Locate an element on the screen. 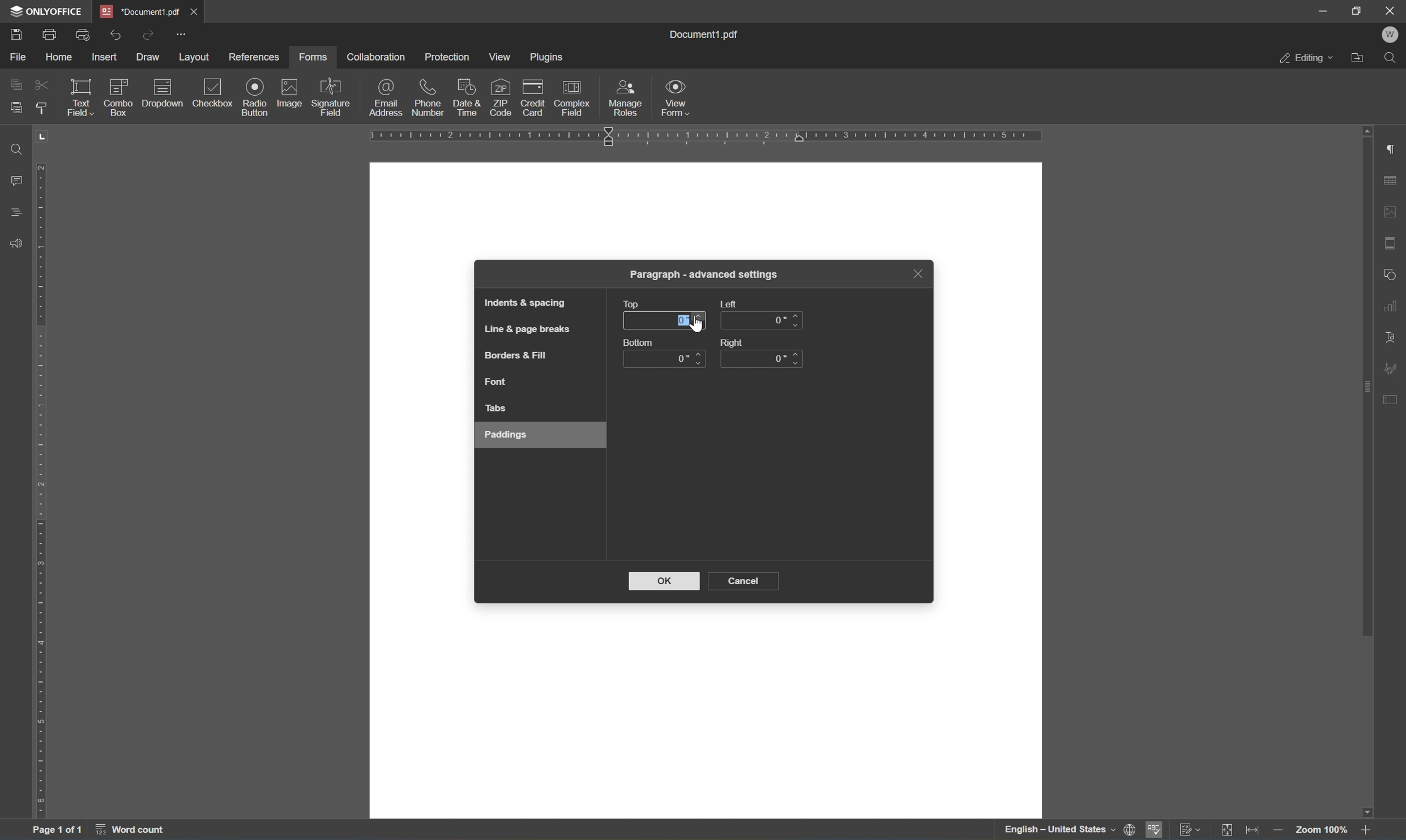 The height and width of the screenshot is (840, 1406). ONLYOFFICE is located at coordinates (51, 11).